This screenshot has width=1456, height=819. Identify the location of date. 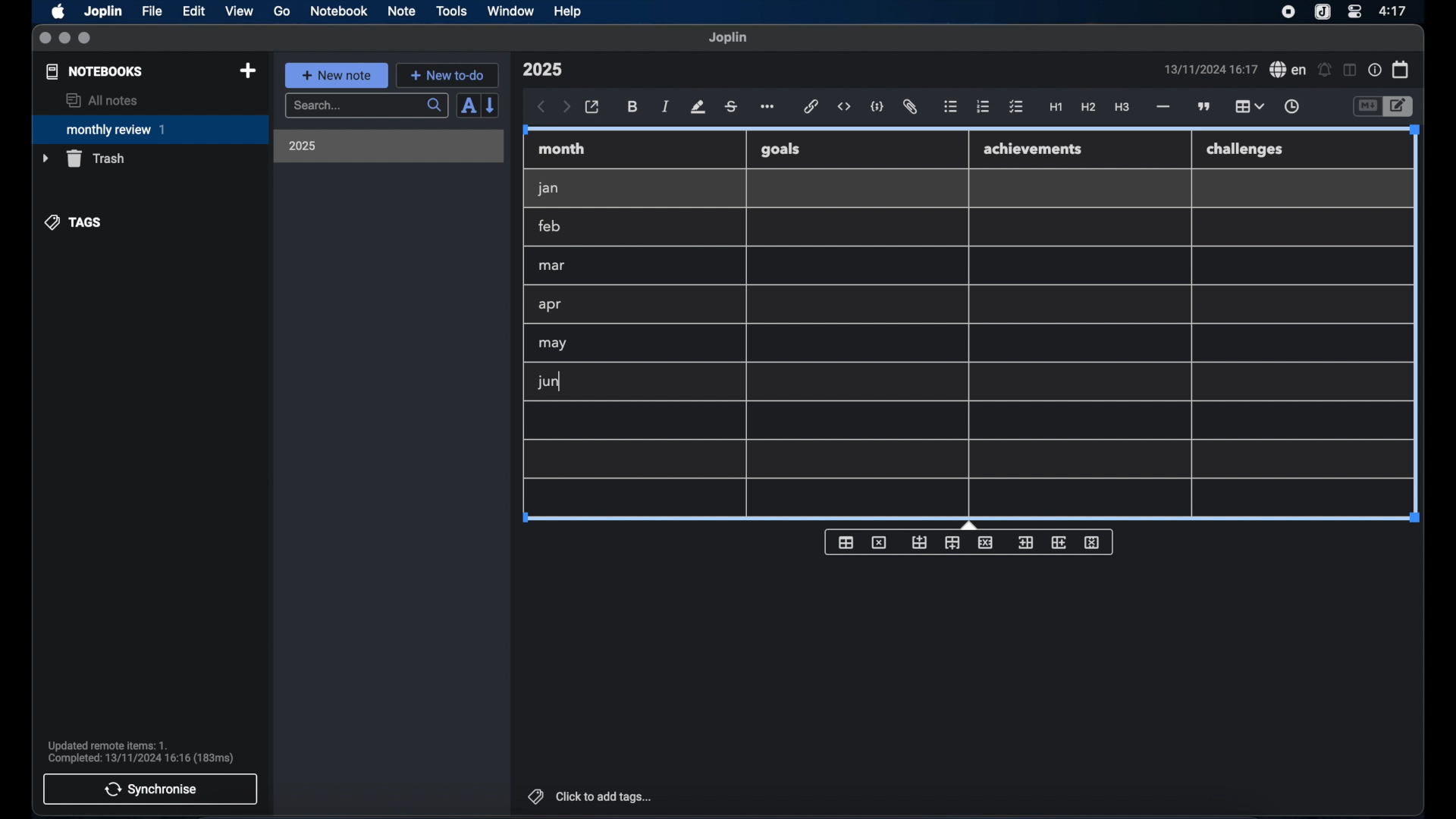
(1210, 69).